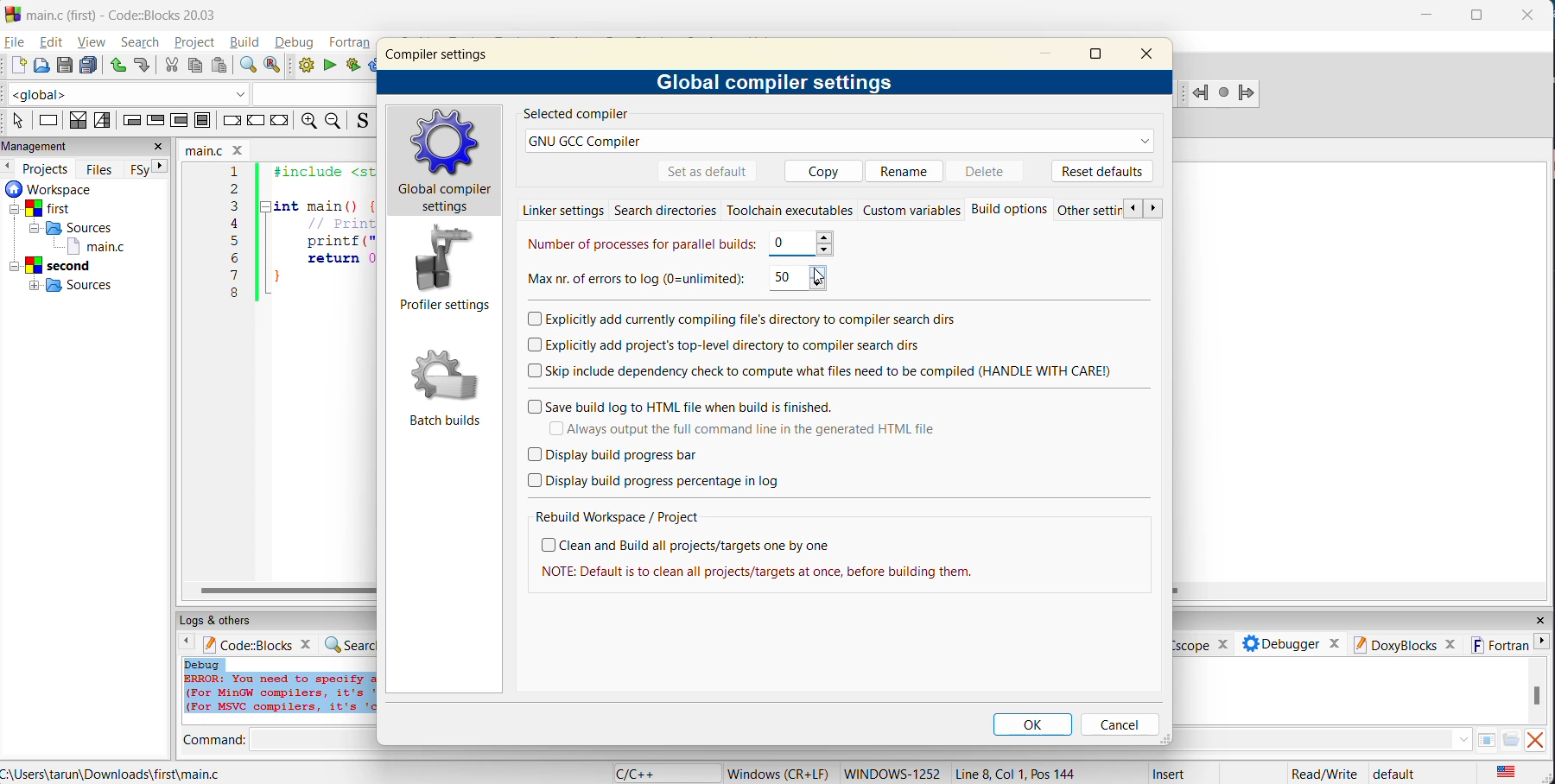  What do you see at coordinates (1509, 774) in the screenshot?
I see `text language` at bounding box center [1509, 774].